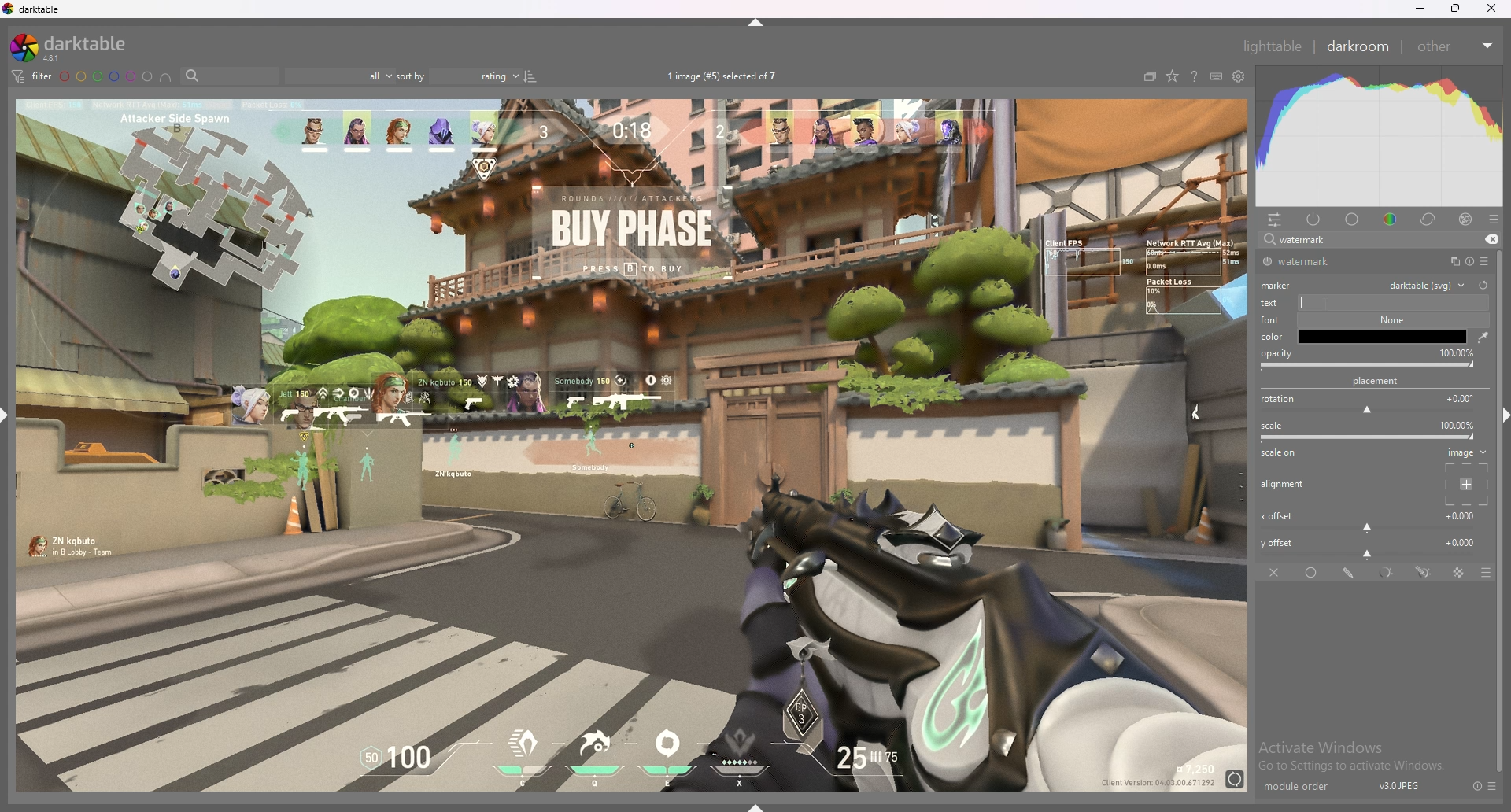 This screenshot has width=1511, height=812. Describe the element at coordinates (30, 76) in the screenshot. I see `filter` at that location.